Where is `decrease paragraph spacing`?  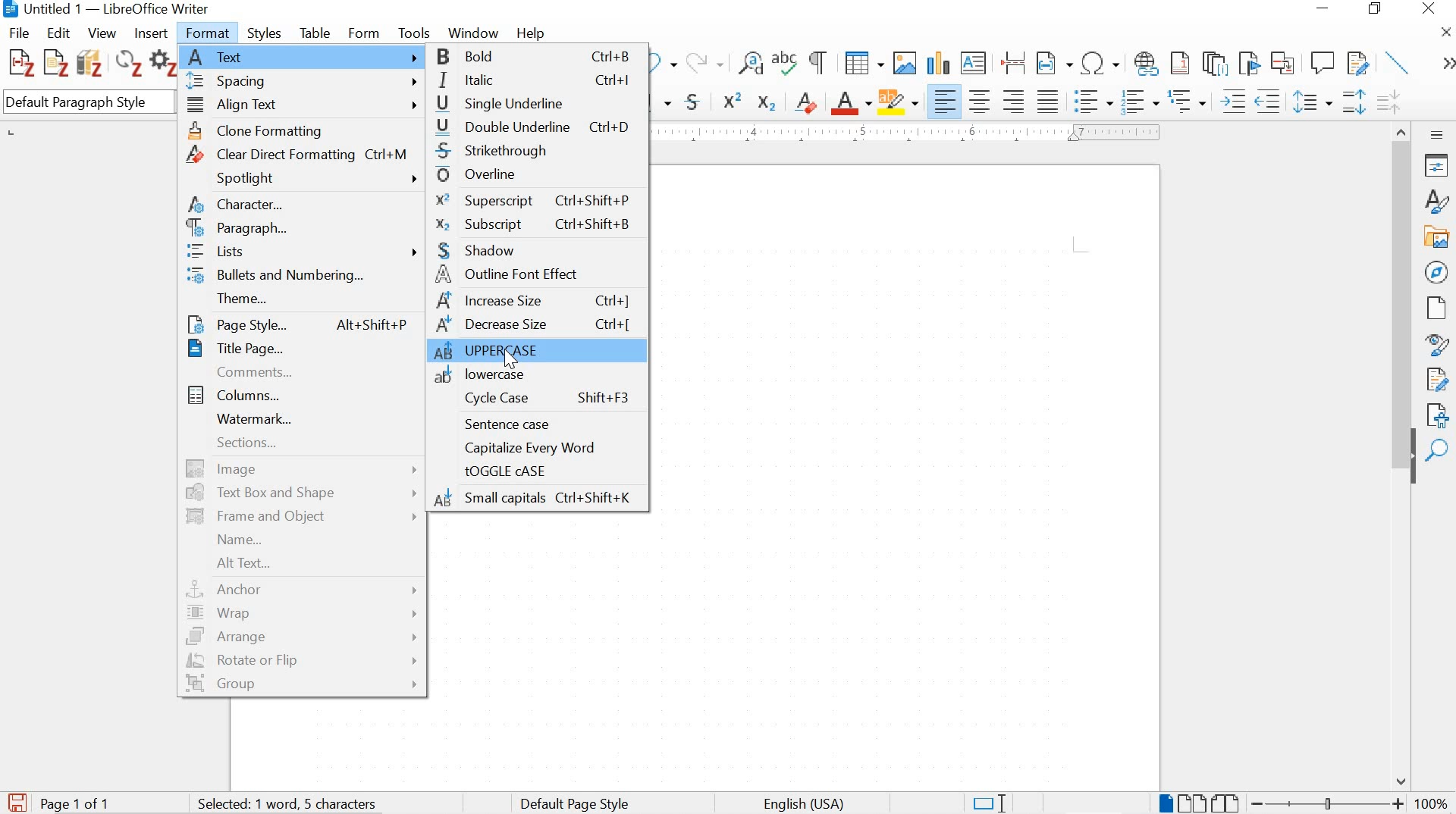
decrease paragraph spacing is located at coordinates (1388, 104).